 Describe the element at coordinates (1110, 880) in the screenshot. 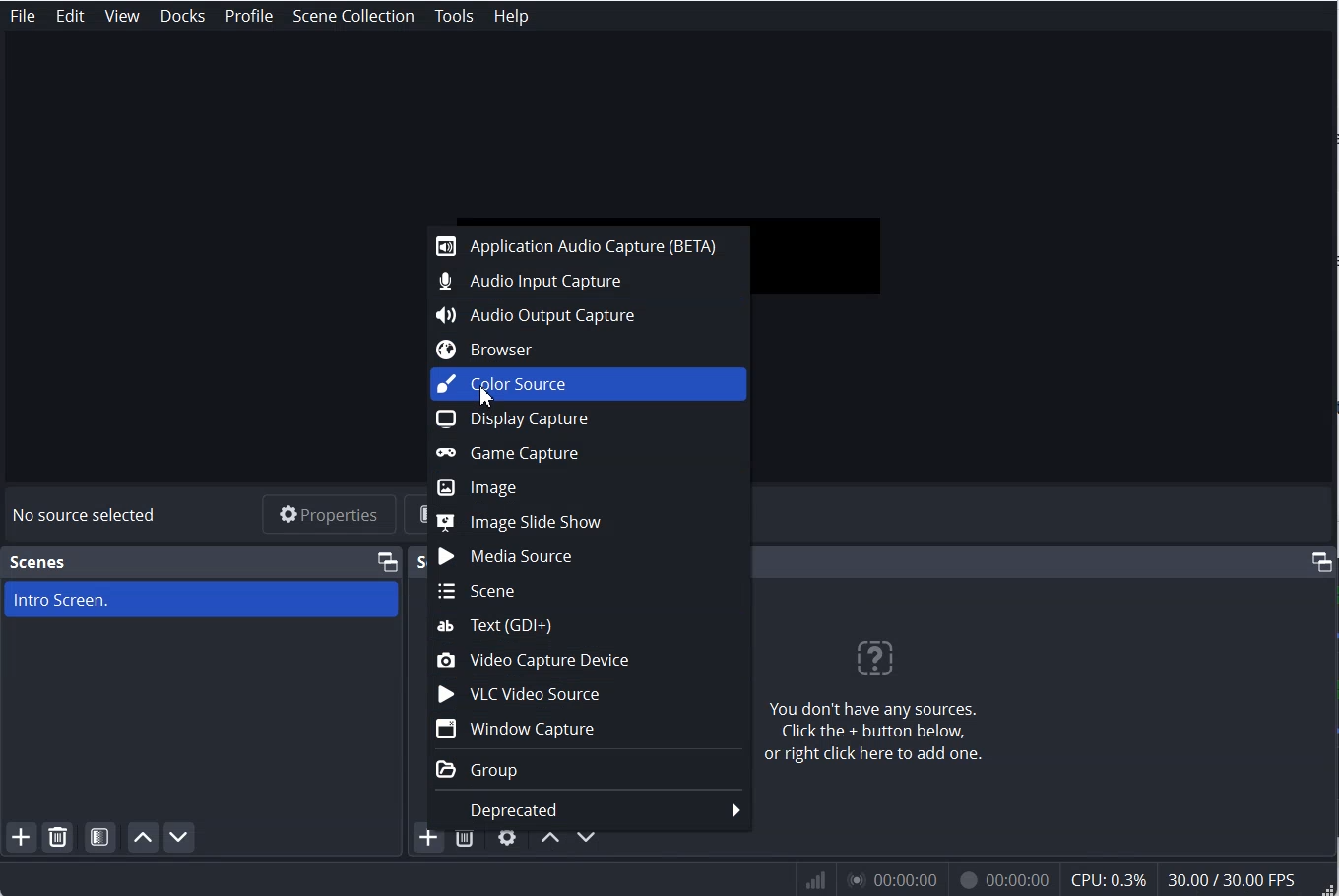

I see `CPU` at that location.